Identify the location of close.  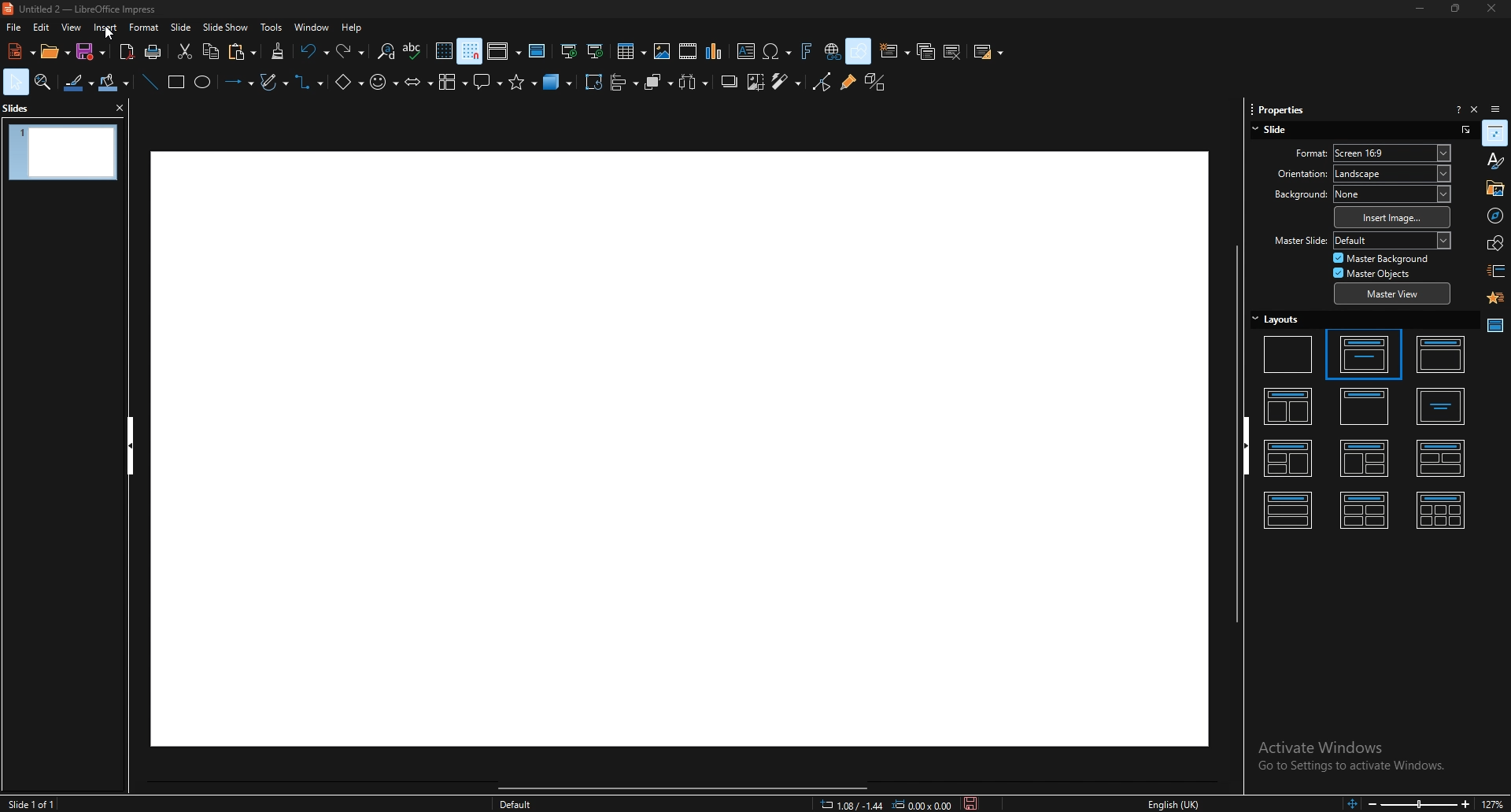
(117, 107).